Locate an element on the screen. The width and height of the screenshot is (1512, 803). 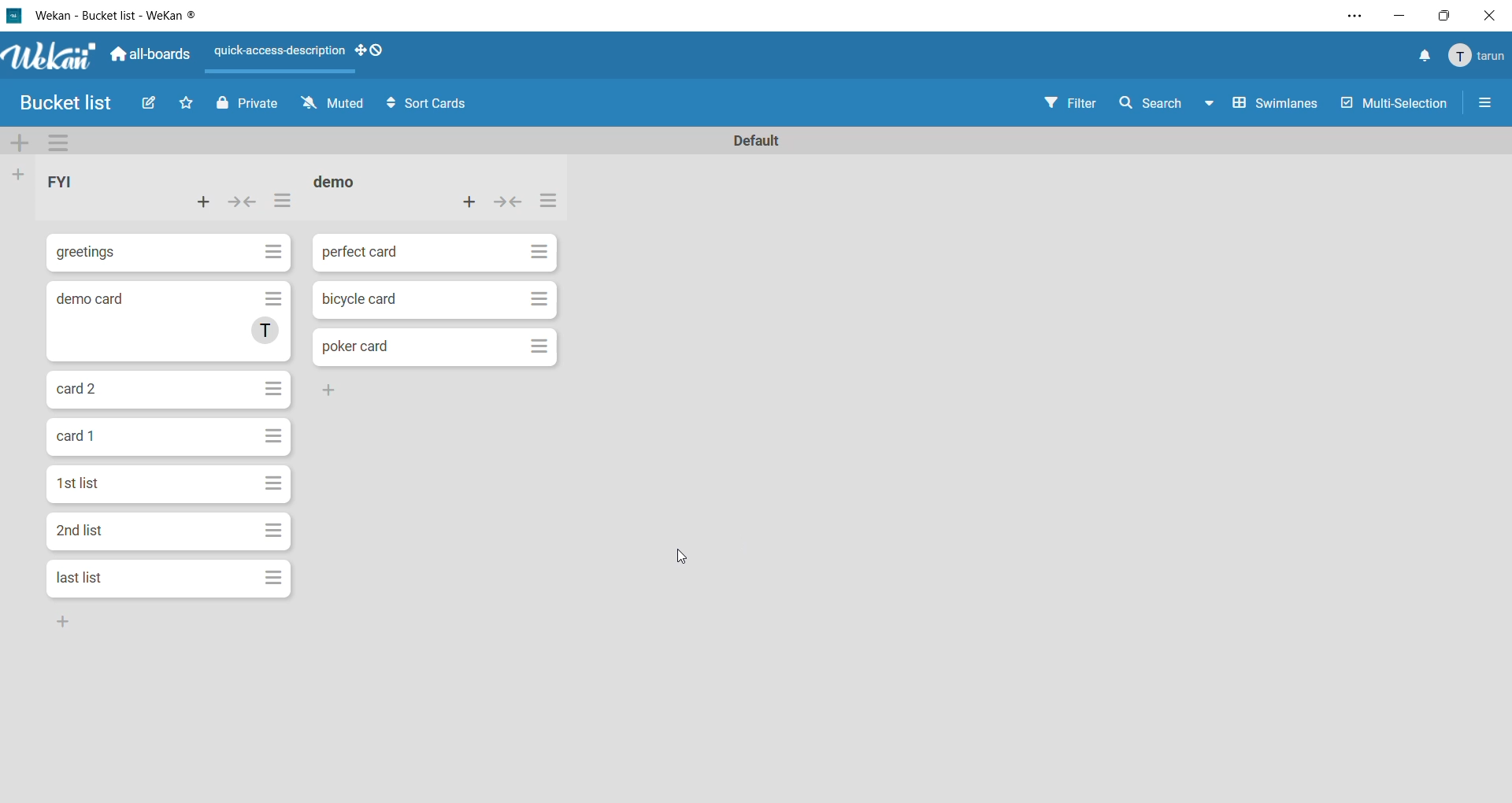
swimlane actions is located at coordinates (70, 140).